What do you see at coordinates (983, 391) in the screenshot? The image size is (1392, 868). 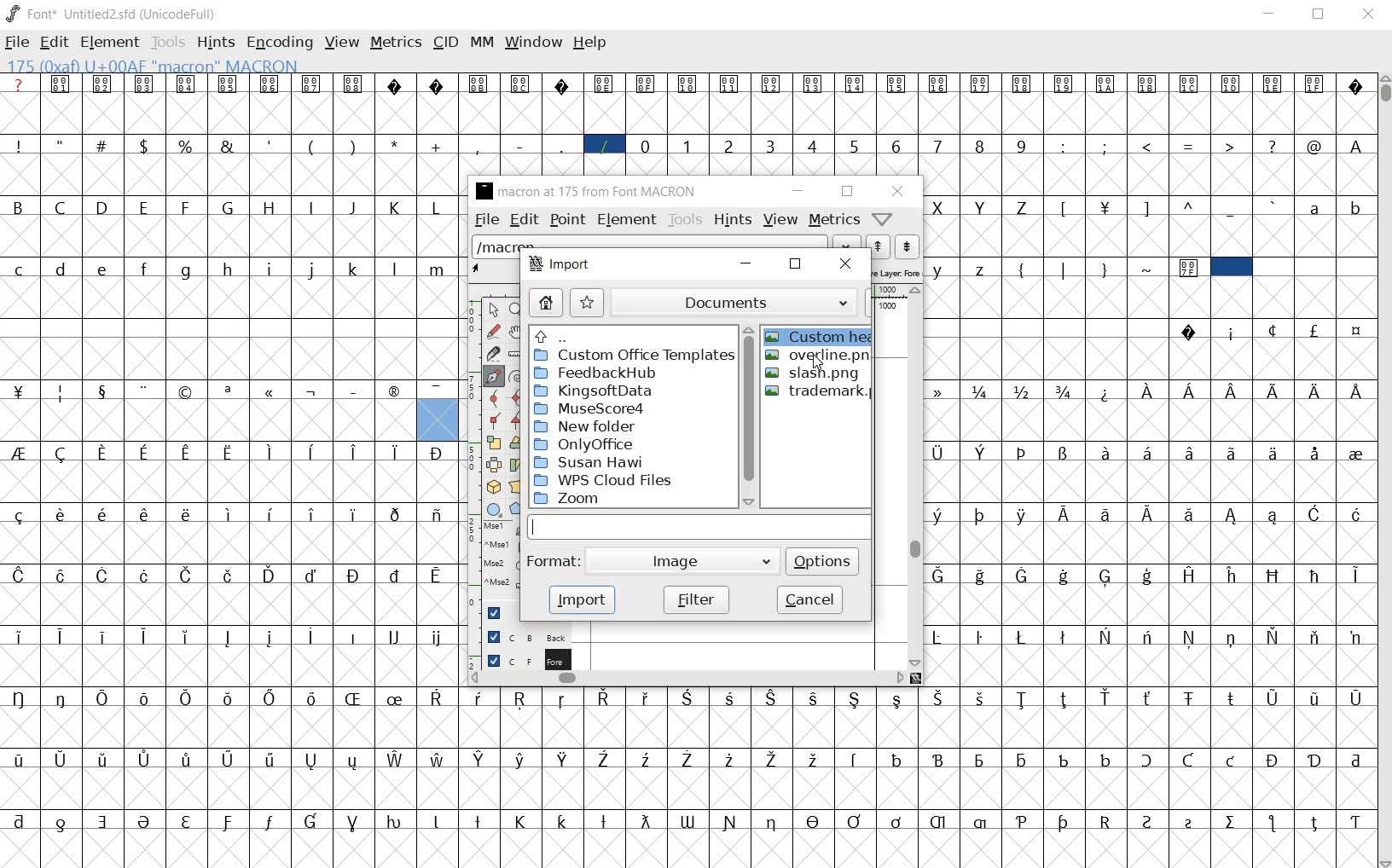 I see `Symbol` at bounding box center [983, 391].